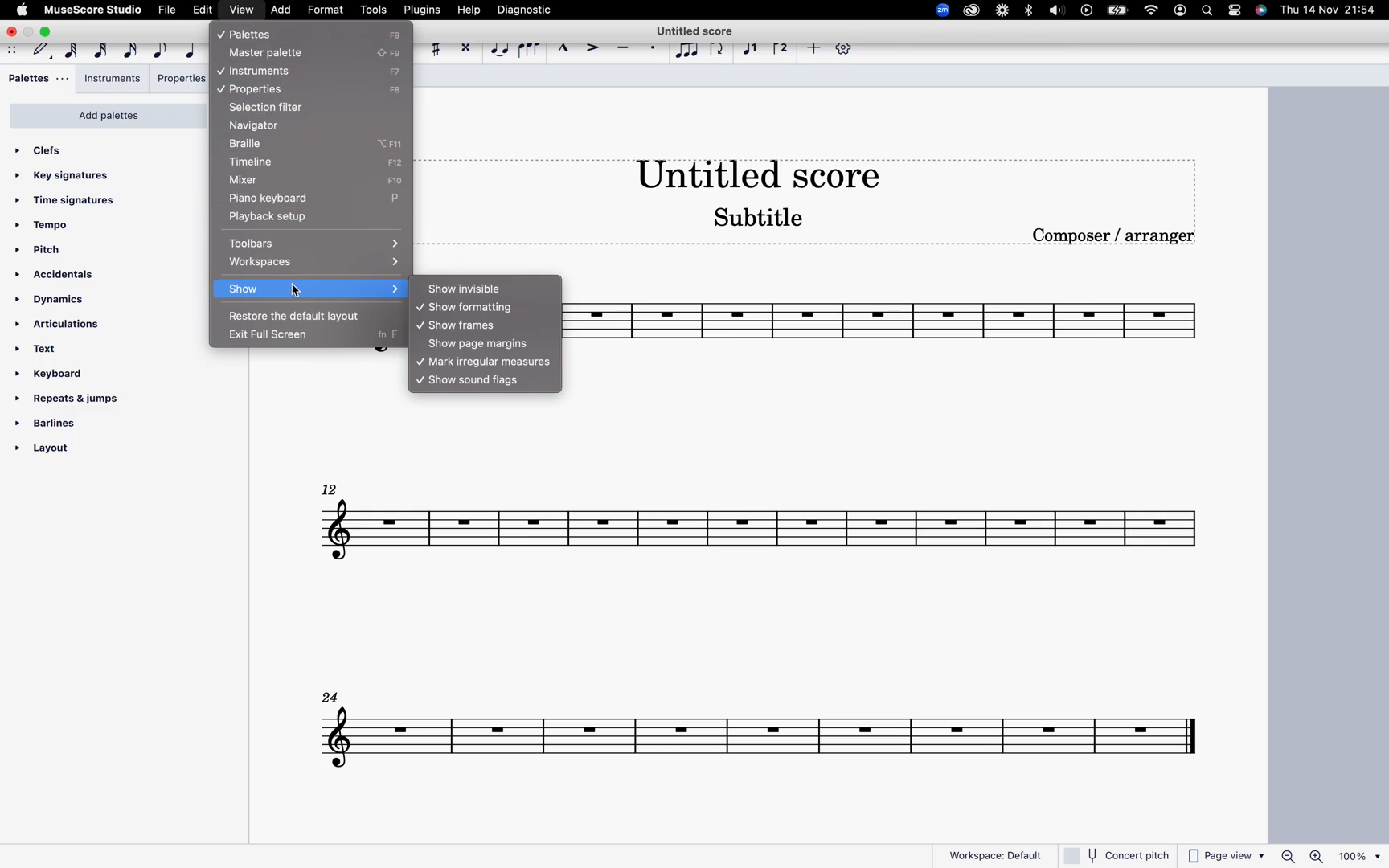  Describe the element at coordinates (623, 48) in the screenshot. I see `tenuto` at that location.